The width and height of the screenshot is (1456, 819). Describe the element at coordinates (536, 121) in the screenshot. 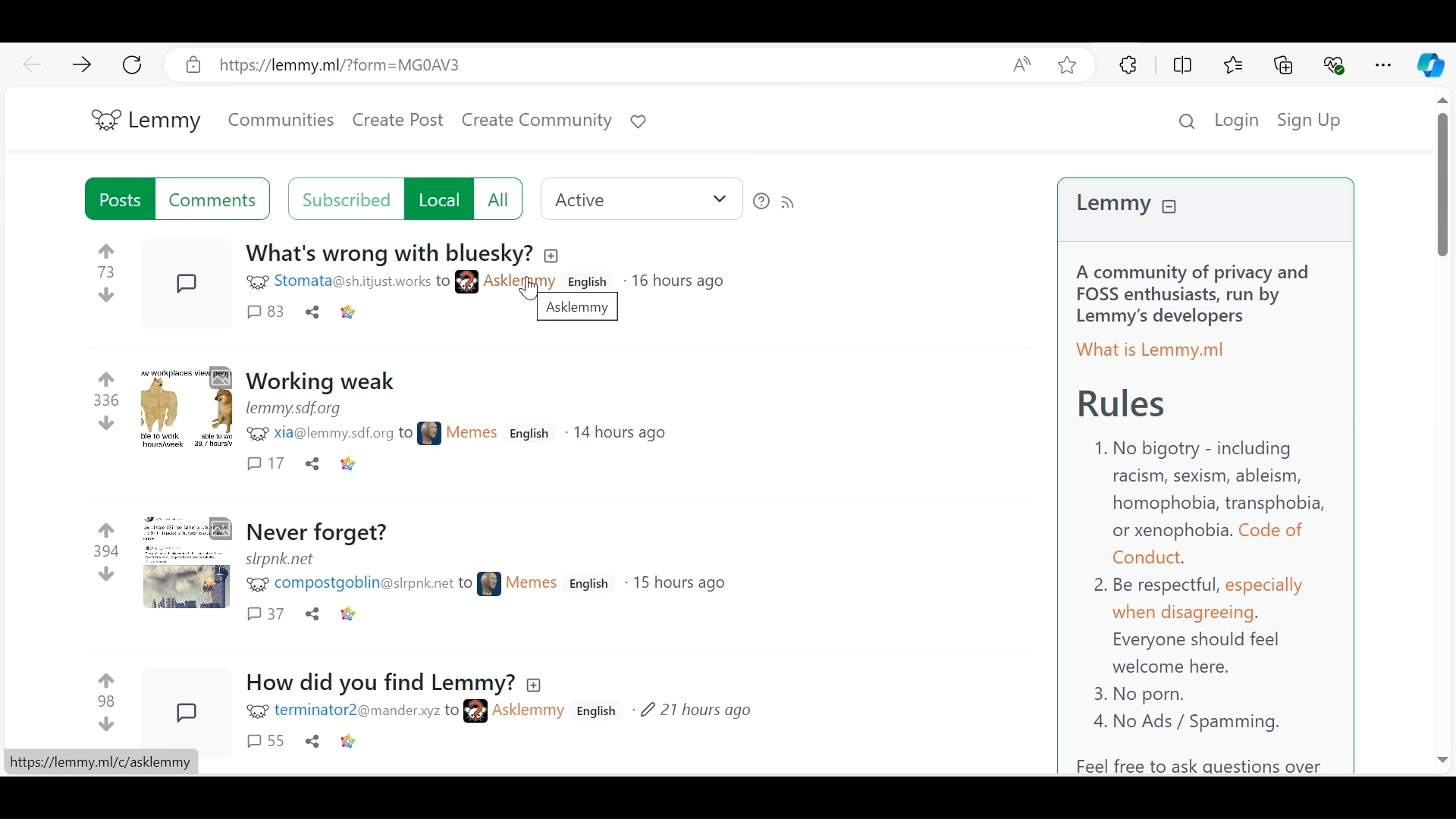

I see `Create Community` at that location.